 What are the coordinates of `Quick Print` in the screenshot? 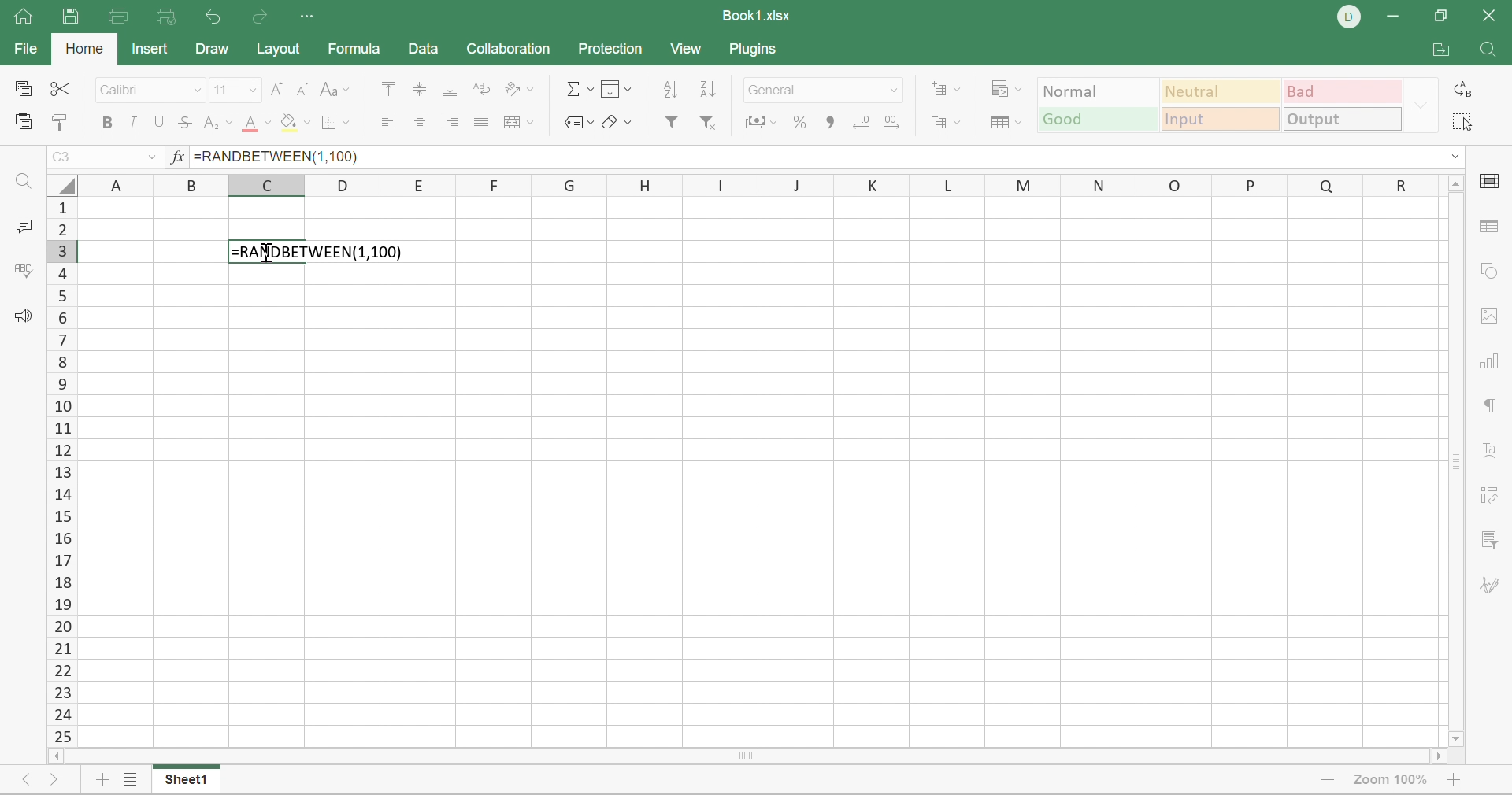 It's located at (169, 17).